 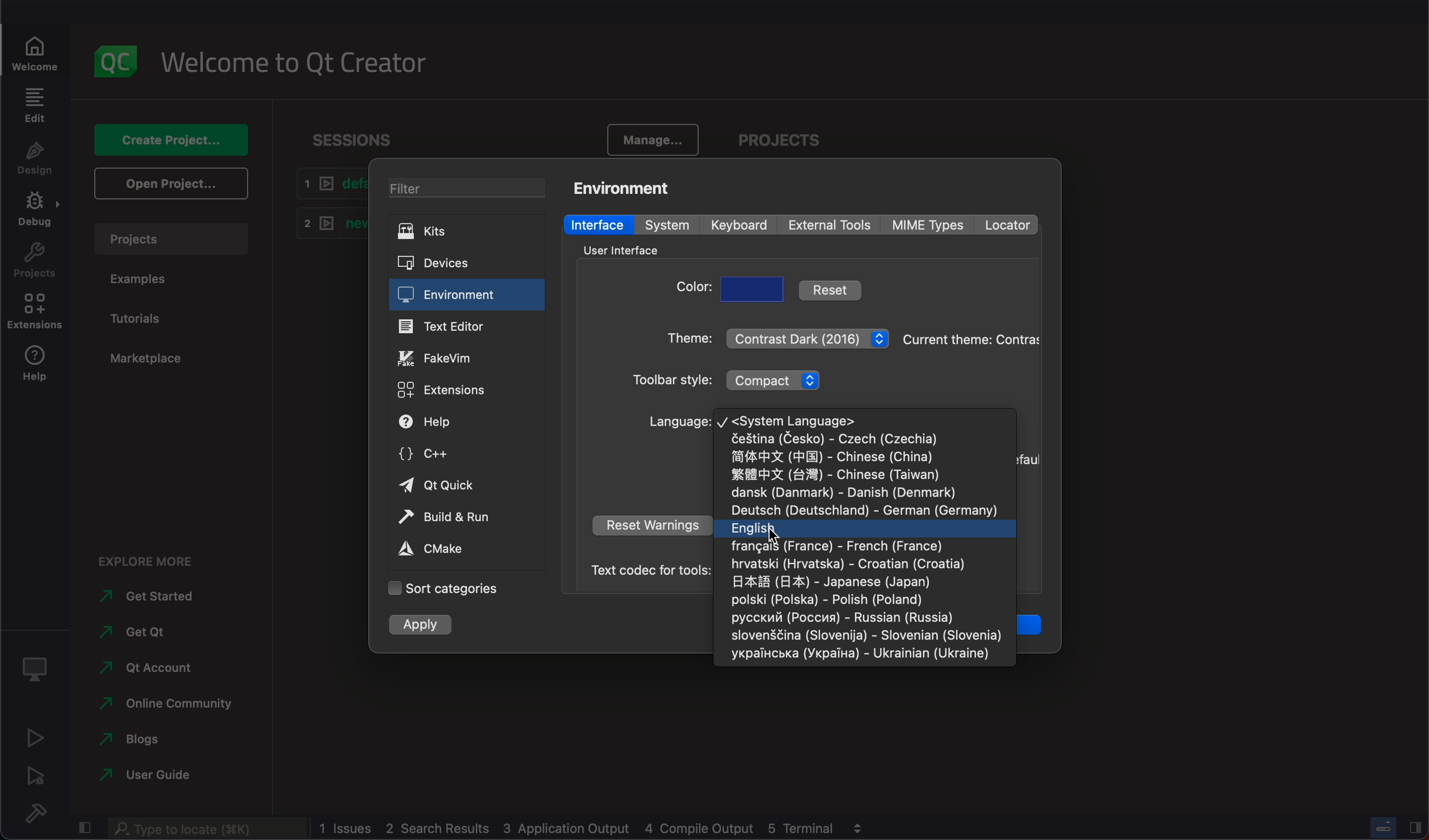 What do you see at coordinates (297, 64) in the screenshot?
I see `welcome` at bounding box center [297, 64].